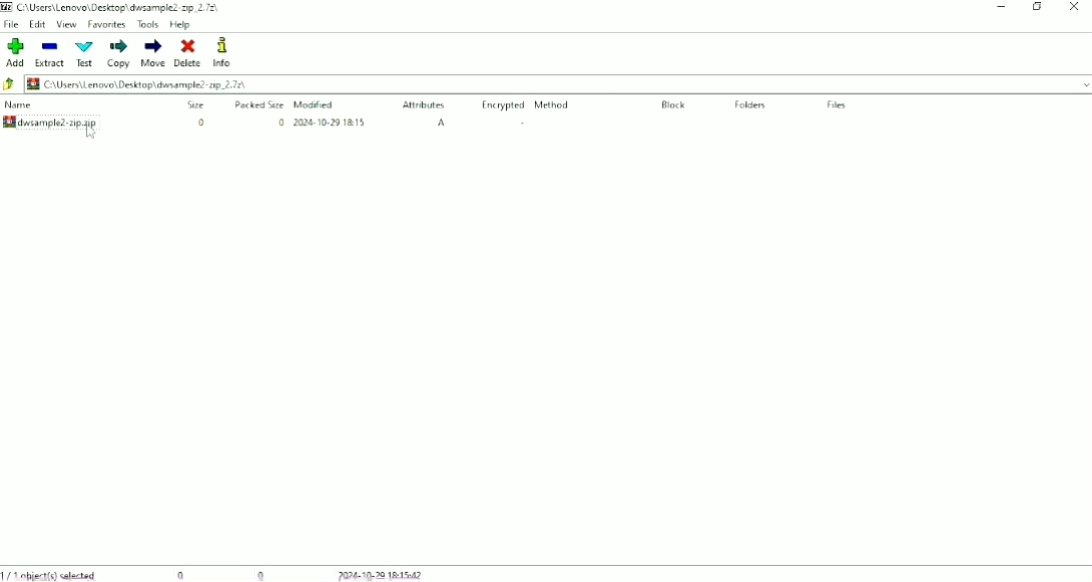 The width and height of the screenshot is (1092, 582). What do you see at coordinates (135, 84) in the screenshot?
I see `C:\Users\Lenovo\Desktop\dwsample2-zip_2.7z` at bounding box center [135, 84].